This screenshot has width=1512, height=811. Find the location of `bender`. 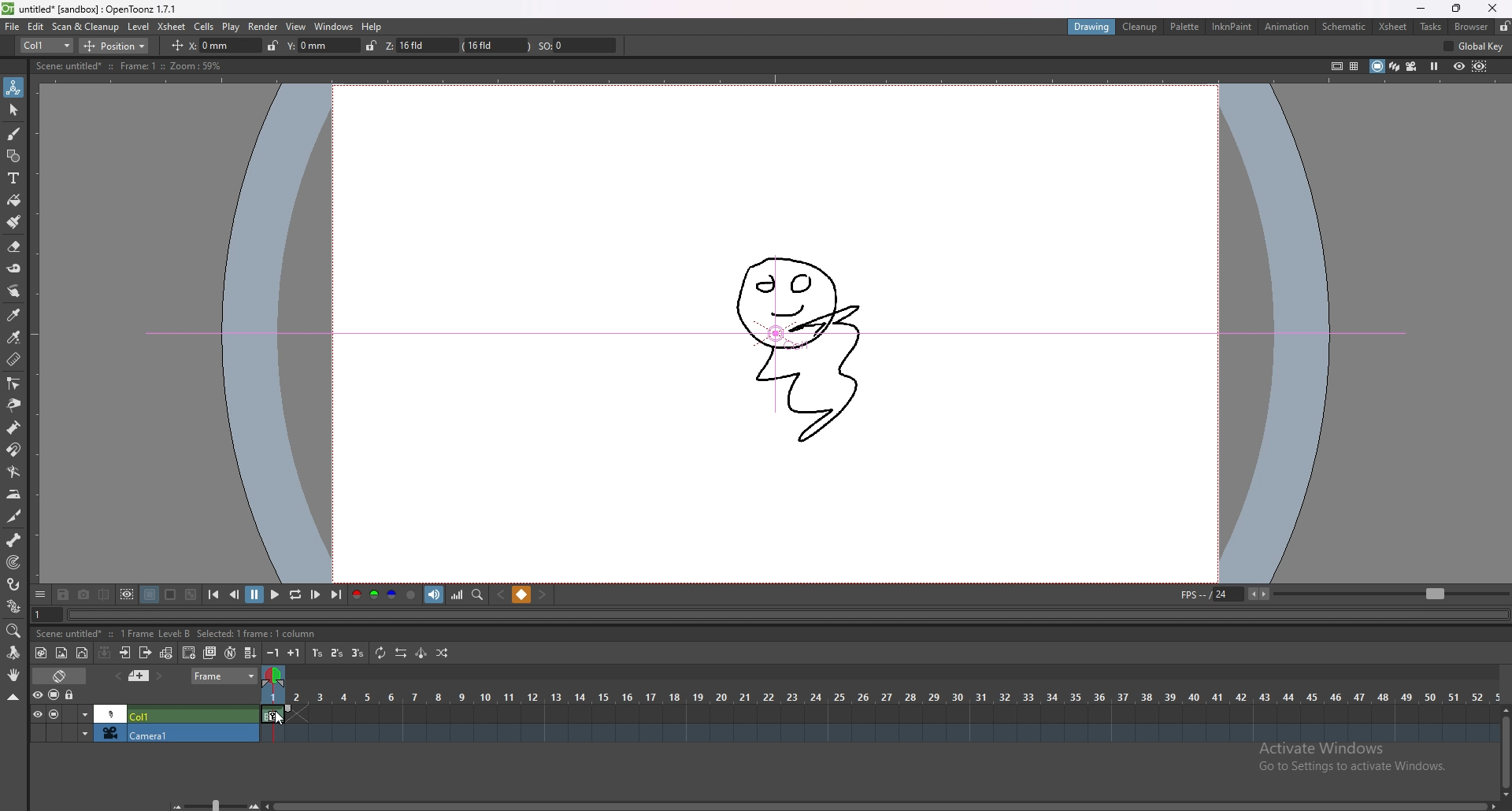

bender is located at coordinates (13, 471).